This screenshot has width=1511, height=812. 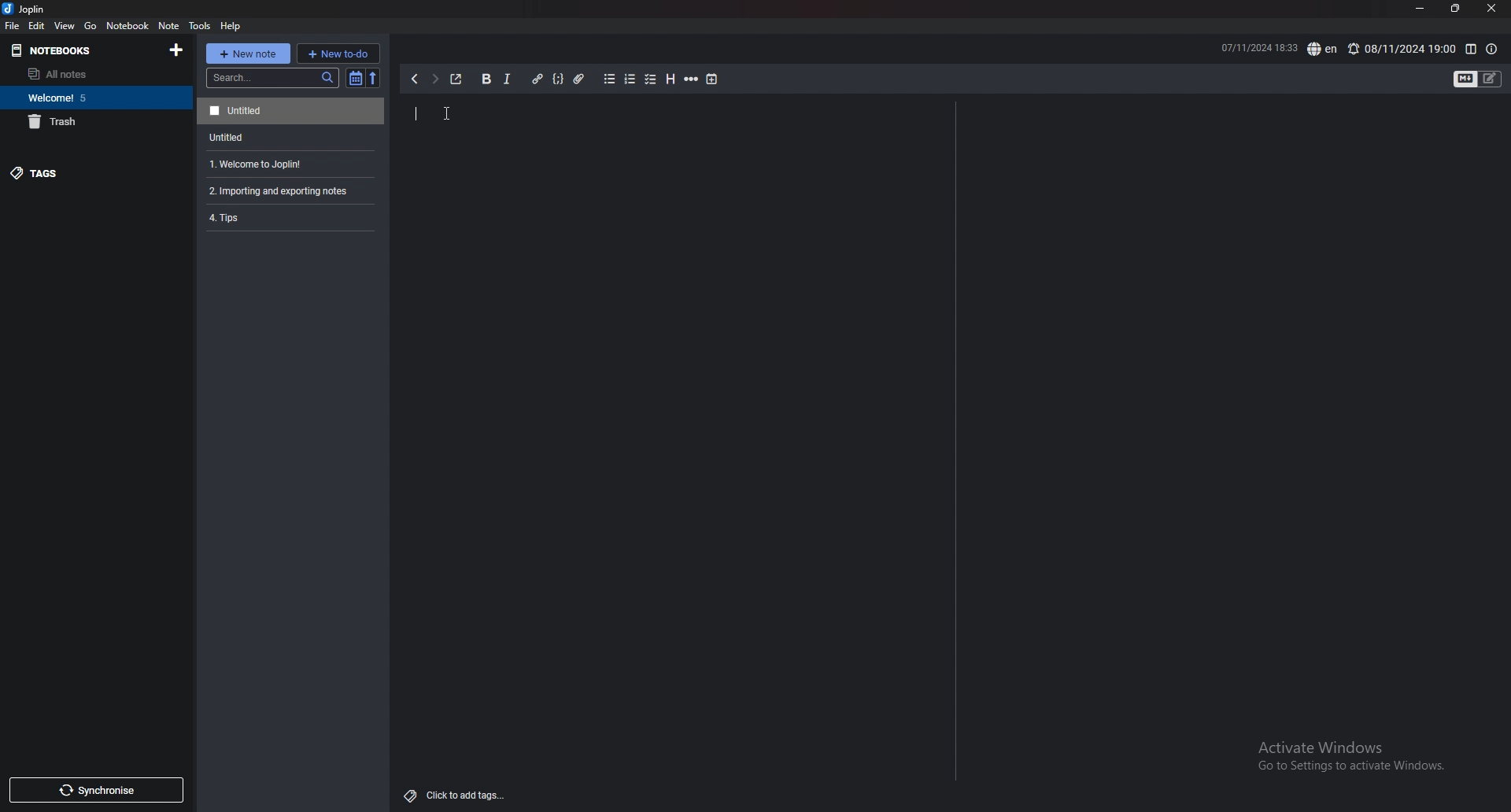 What do you see at coordinates (609, 79) in the screenshot?
I see `bullet list` at bounding box center [609, 79].